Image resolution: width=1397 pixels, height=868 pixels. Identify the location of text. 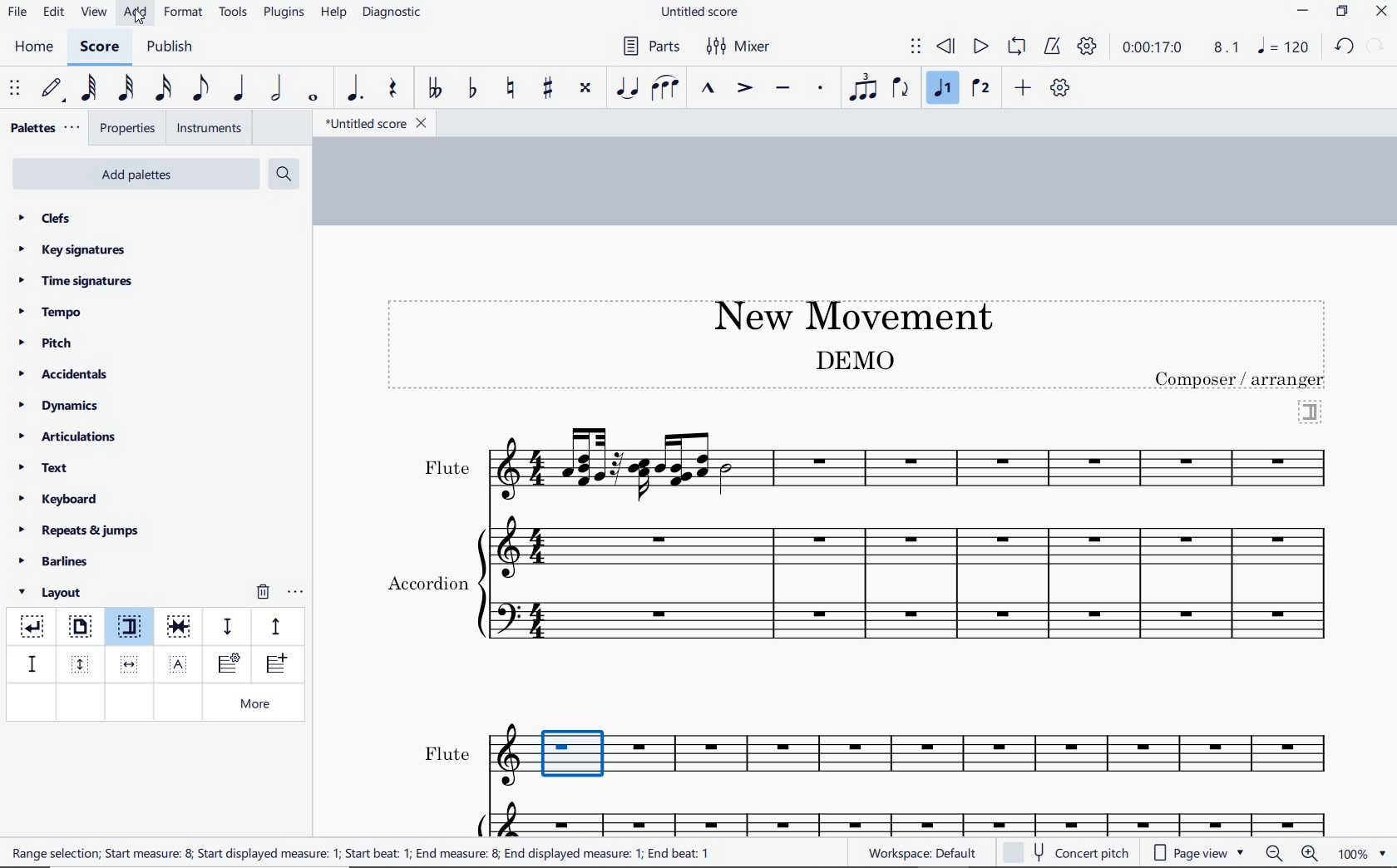
(360, 852).